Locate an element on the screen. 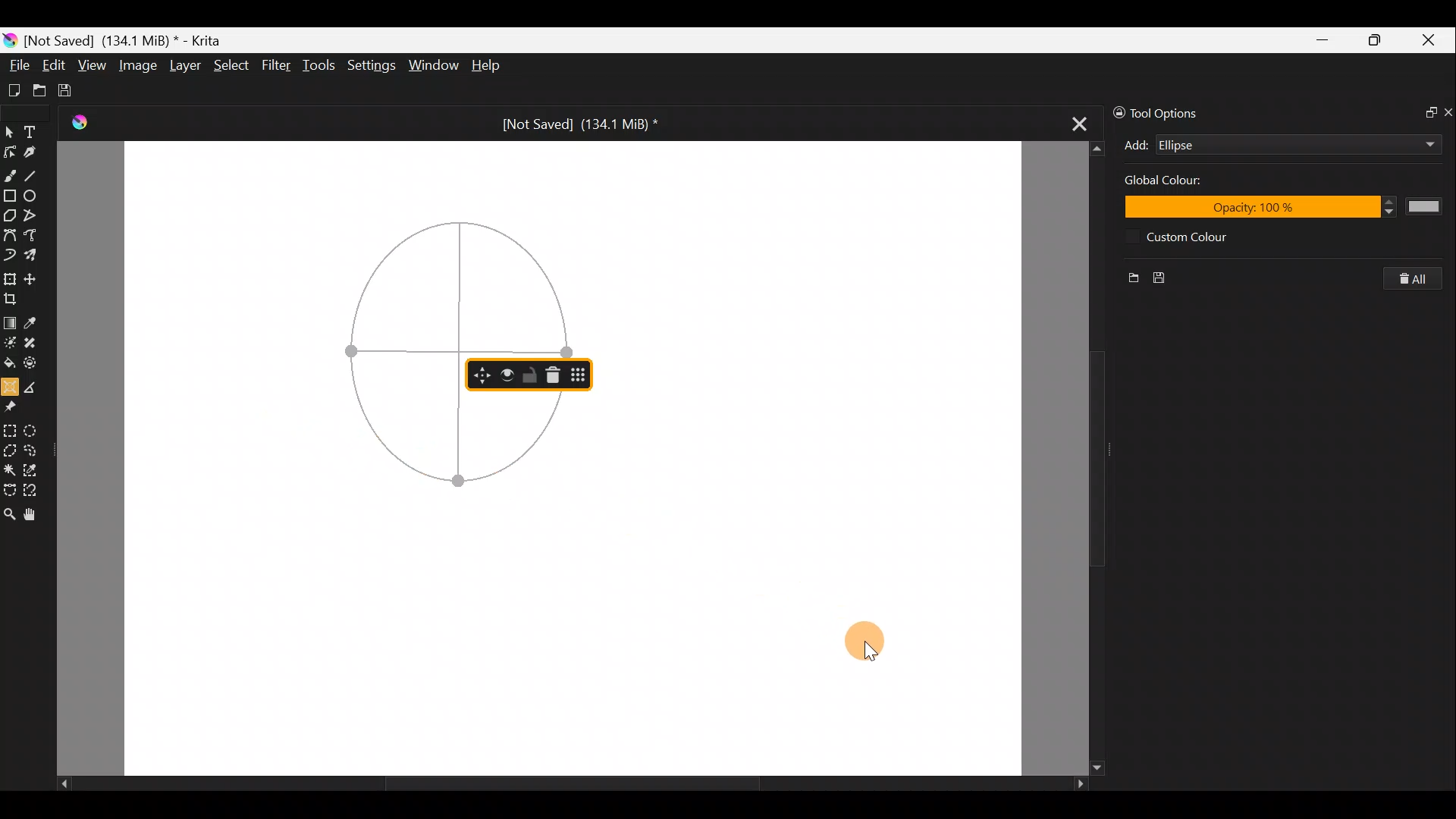  Move a layer is located at coordinates (33, 276).